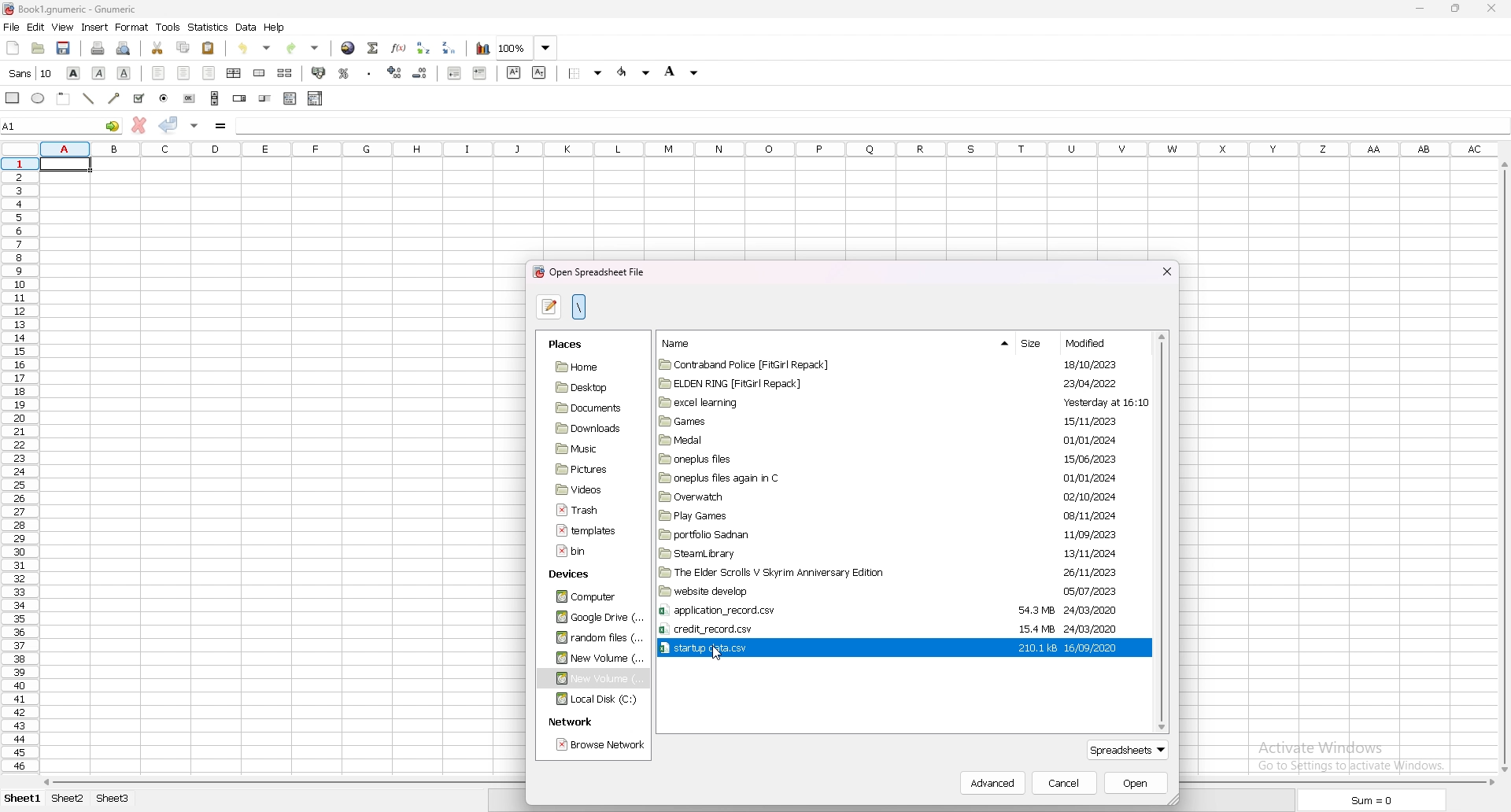 Image resolution: width=1511 pixels, height=812 pixels. Describe the element at coordinates (526, 49) in the screenshot. I see `zoom` at that location.